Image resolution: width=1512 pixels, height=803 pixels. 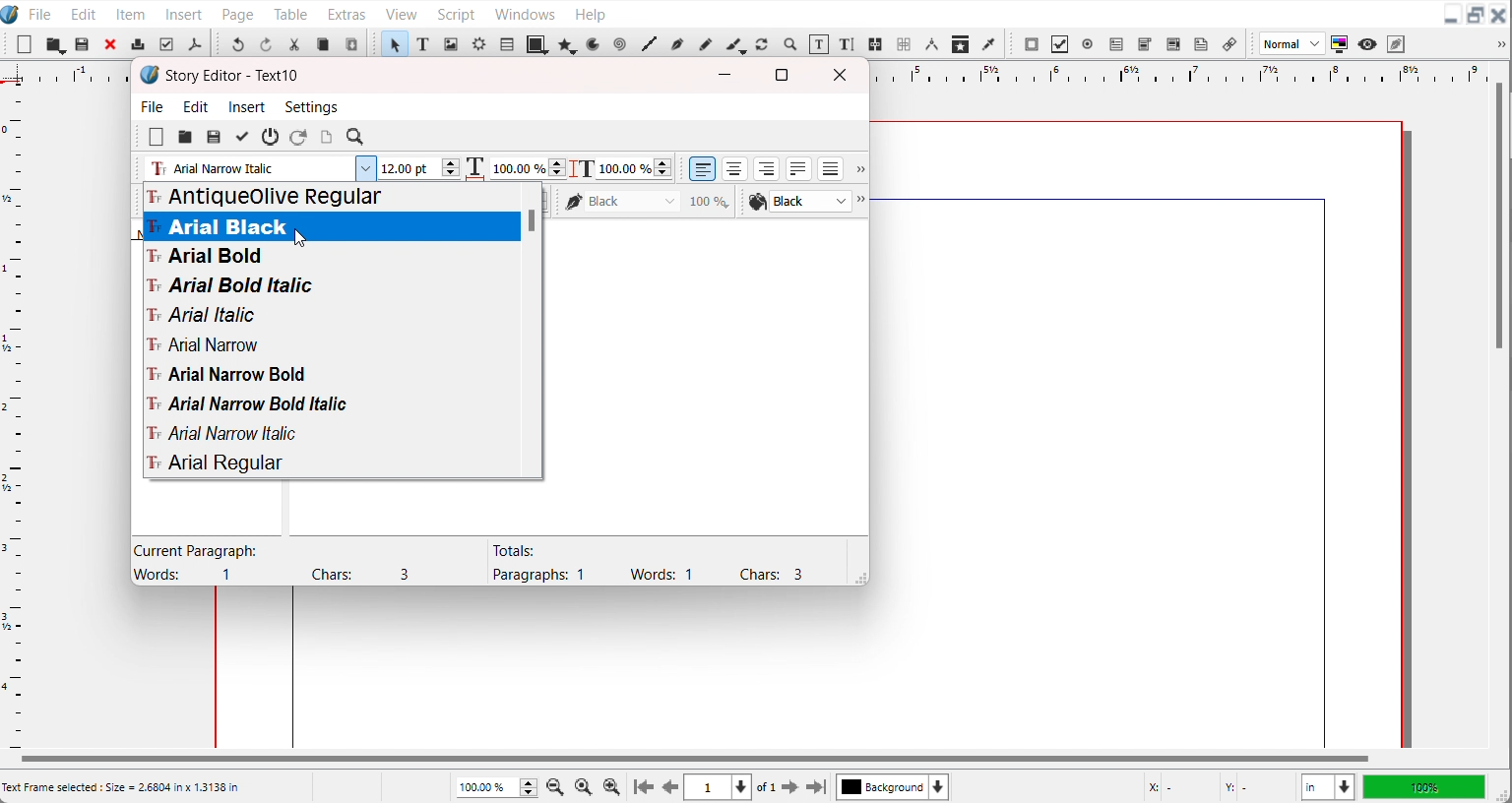 I want to click on Select item, so click(x=394, y=43).